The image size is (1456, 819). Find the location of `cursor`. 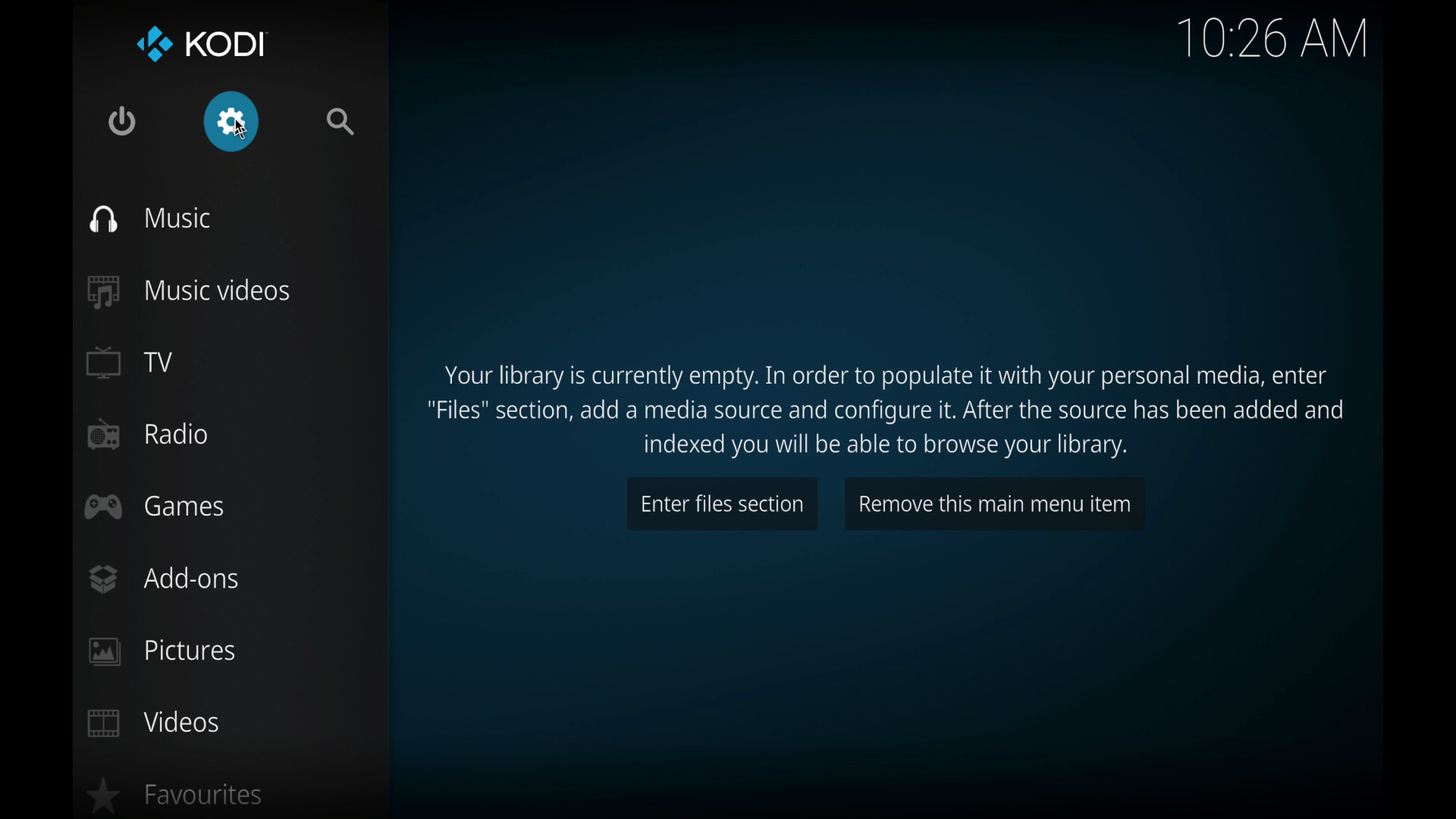

cursor is located at coordinates (240, 129).